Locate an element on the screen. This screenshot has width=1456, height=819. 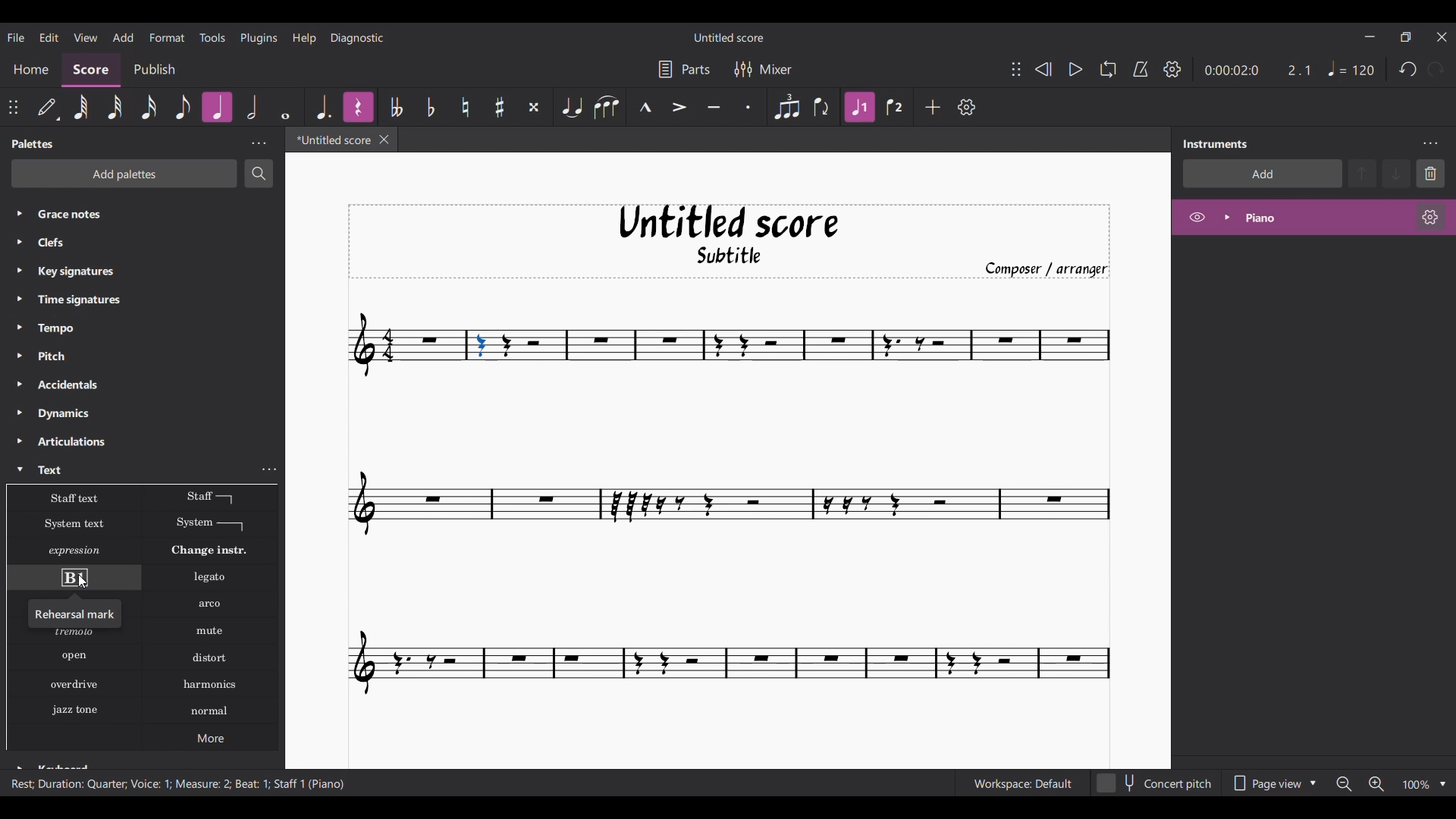
8th note is located at coordinates (180, 105).